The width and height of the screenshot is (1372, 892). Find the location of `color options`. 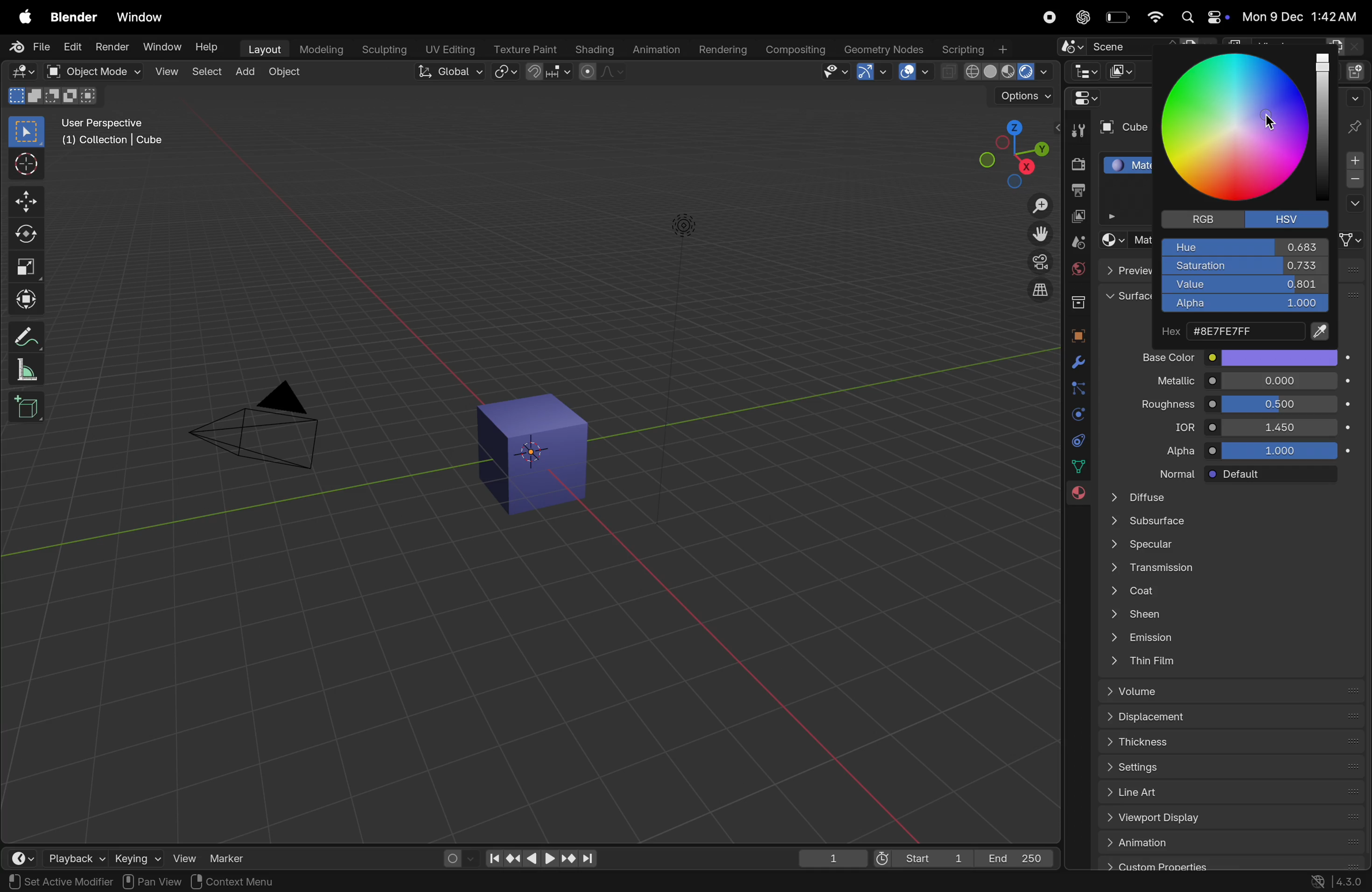

color options is located at coordinates (1280, 357).